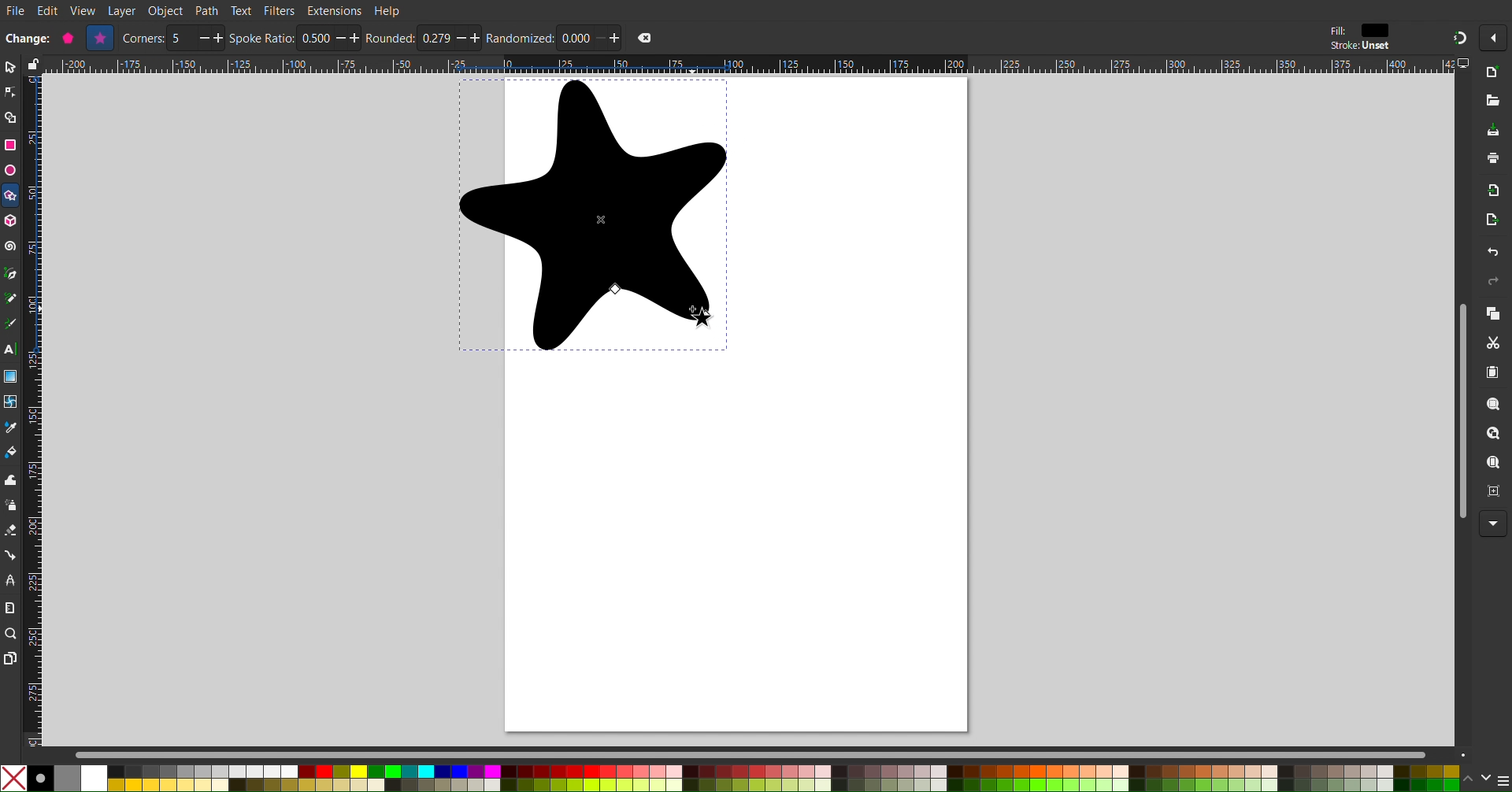 The width and height of the screenshot is (1512, 792). I want to click on Import Bitmap, so click(1494, 194).